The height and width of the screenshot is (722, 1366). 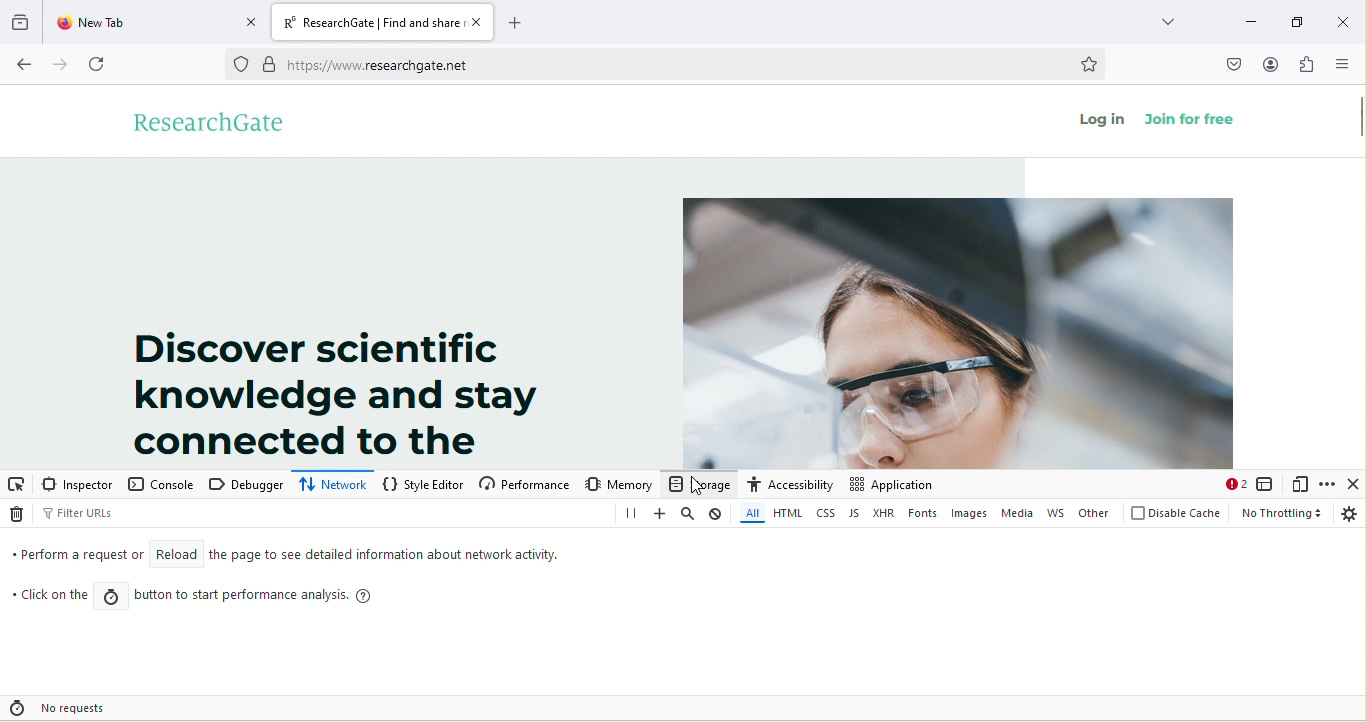 I want to click on application, so click(x=901, y=485).